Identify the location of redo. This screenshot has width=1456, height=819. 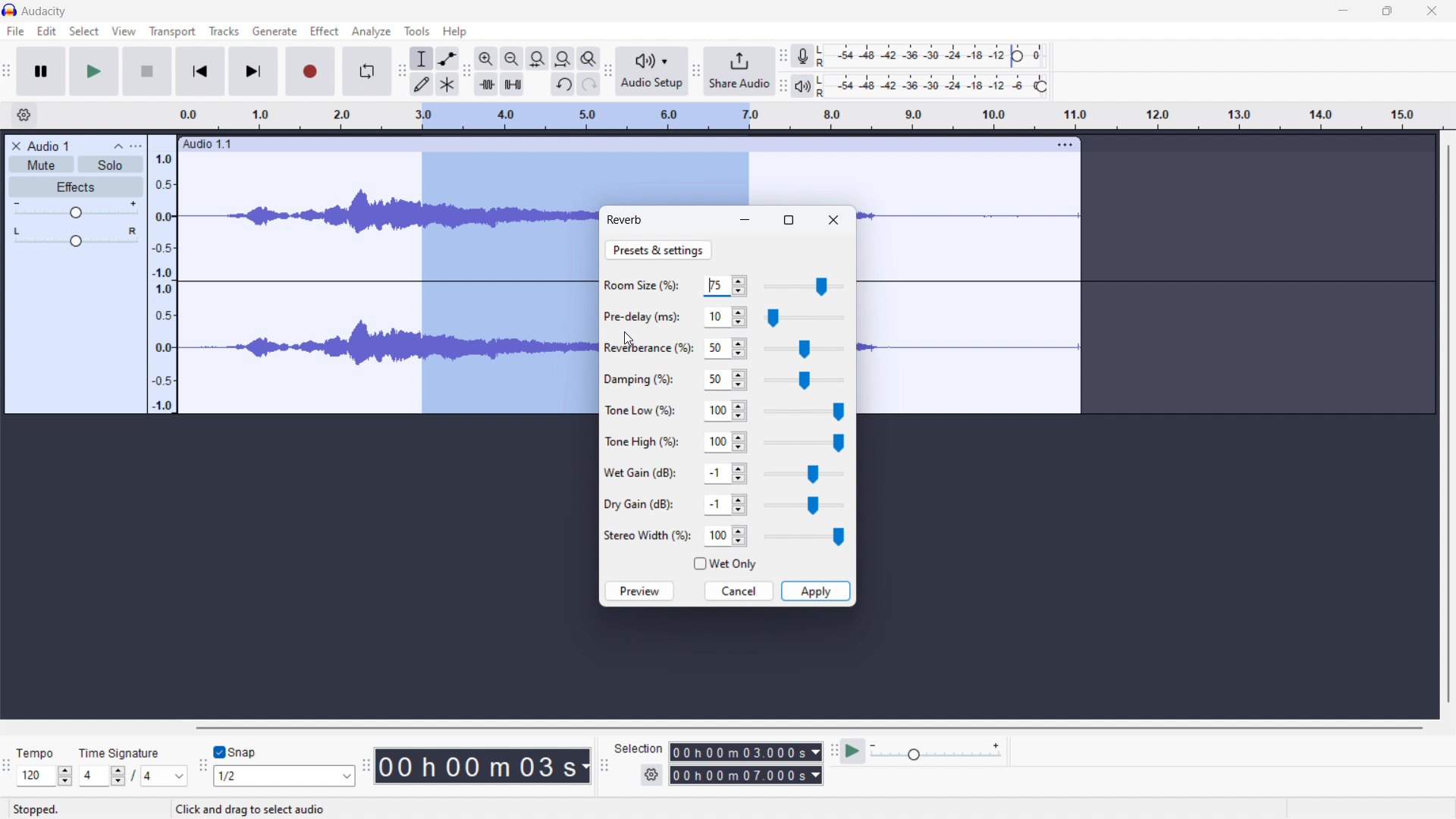
(589, 83).